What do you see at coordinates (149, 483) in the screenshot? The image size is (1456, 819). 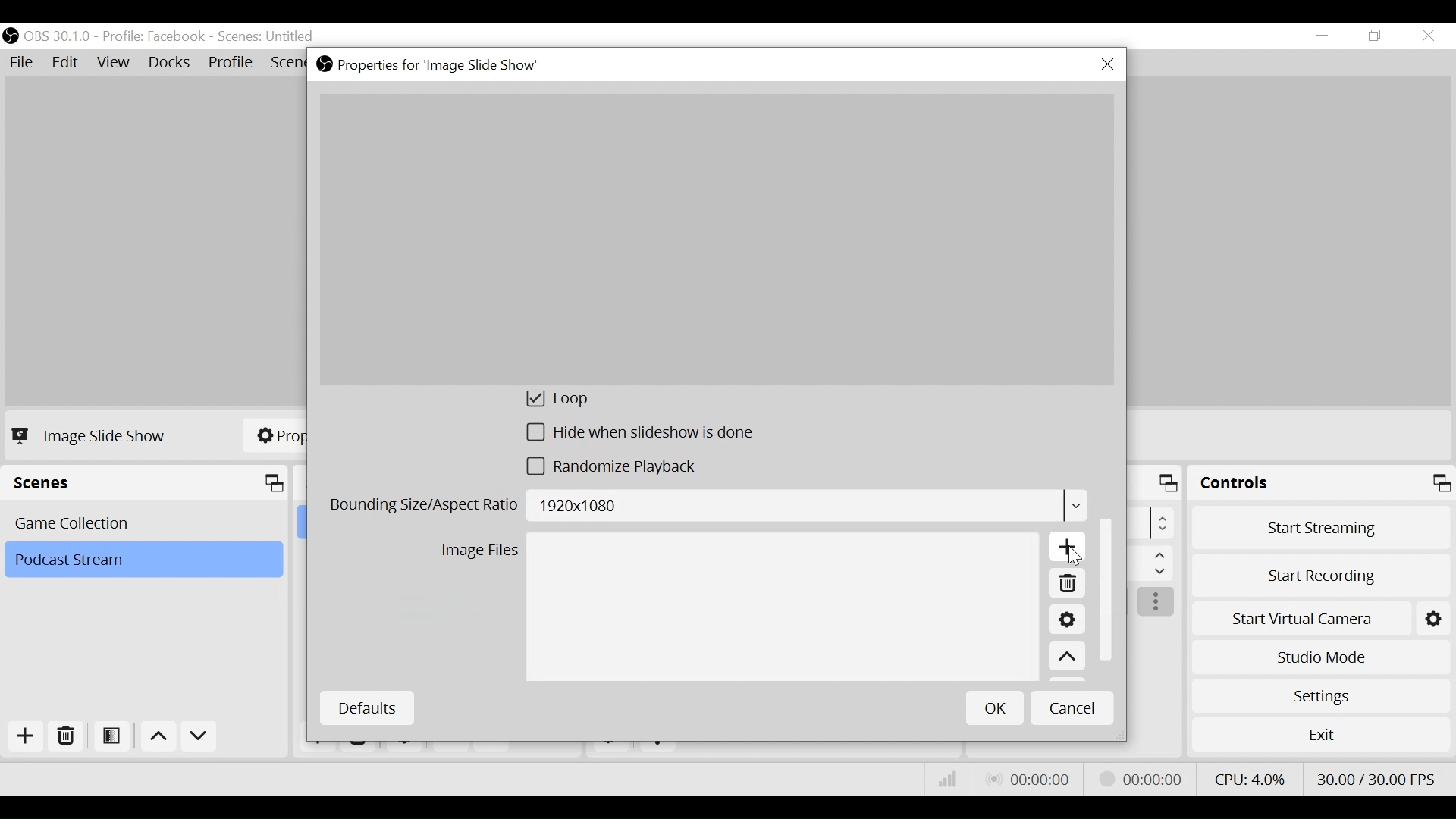 I see `Scenes` at bounding box center [149, 483].